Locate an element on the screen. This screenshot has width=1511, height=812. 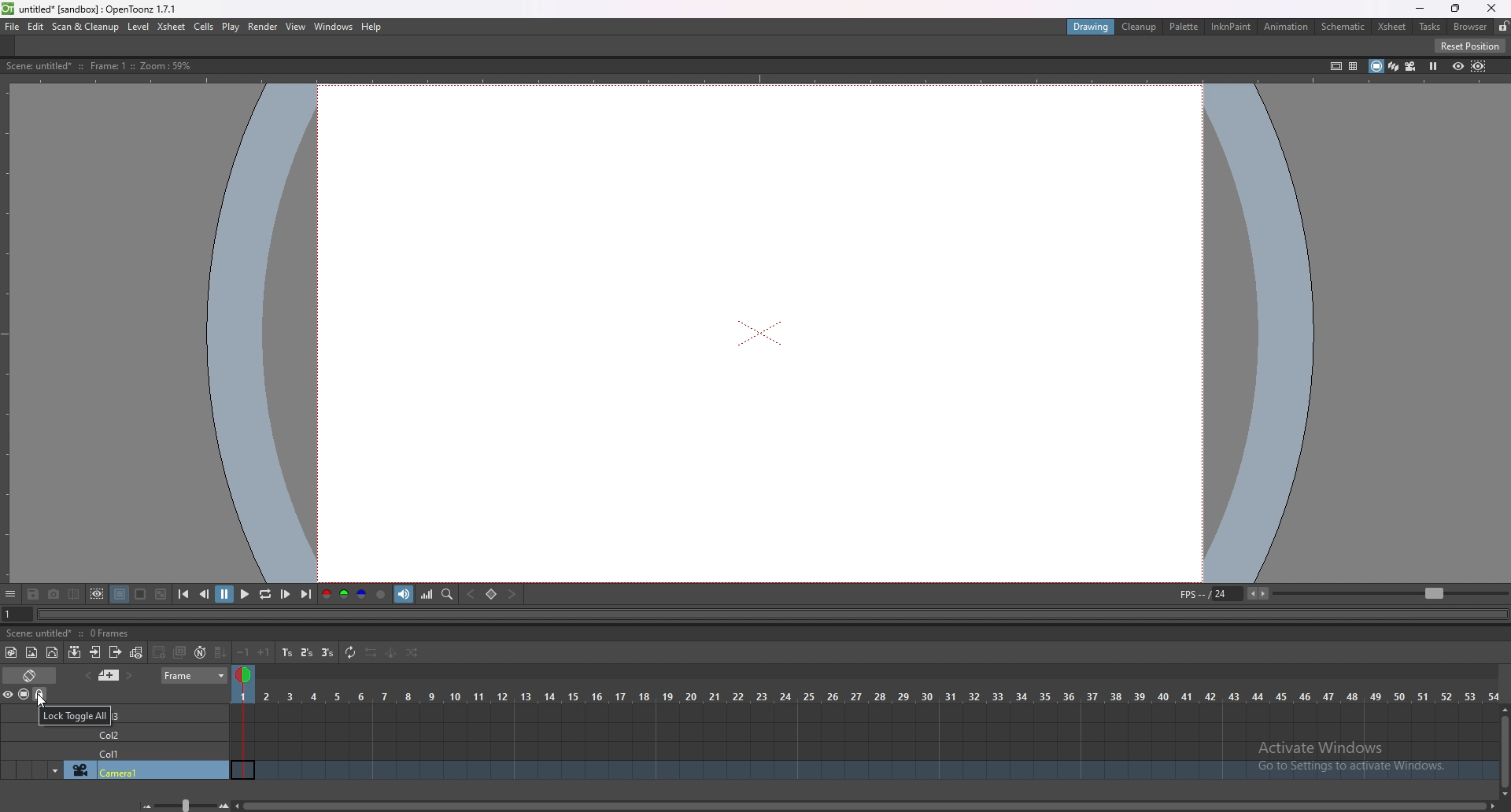
palette is located at coordinates (1184, 26).